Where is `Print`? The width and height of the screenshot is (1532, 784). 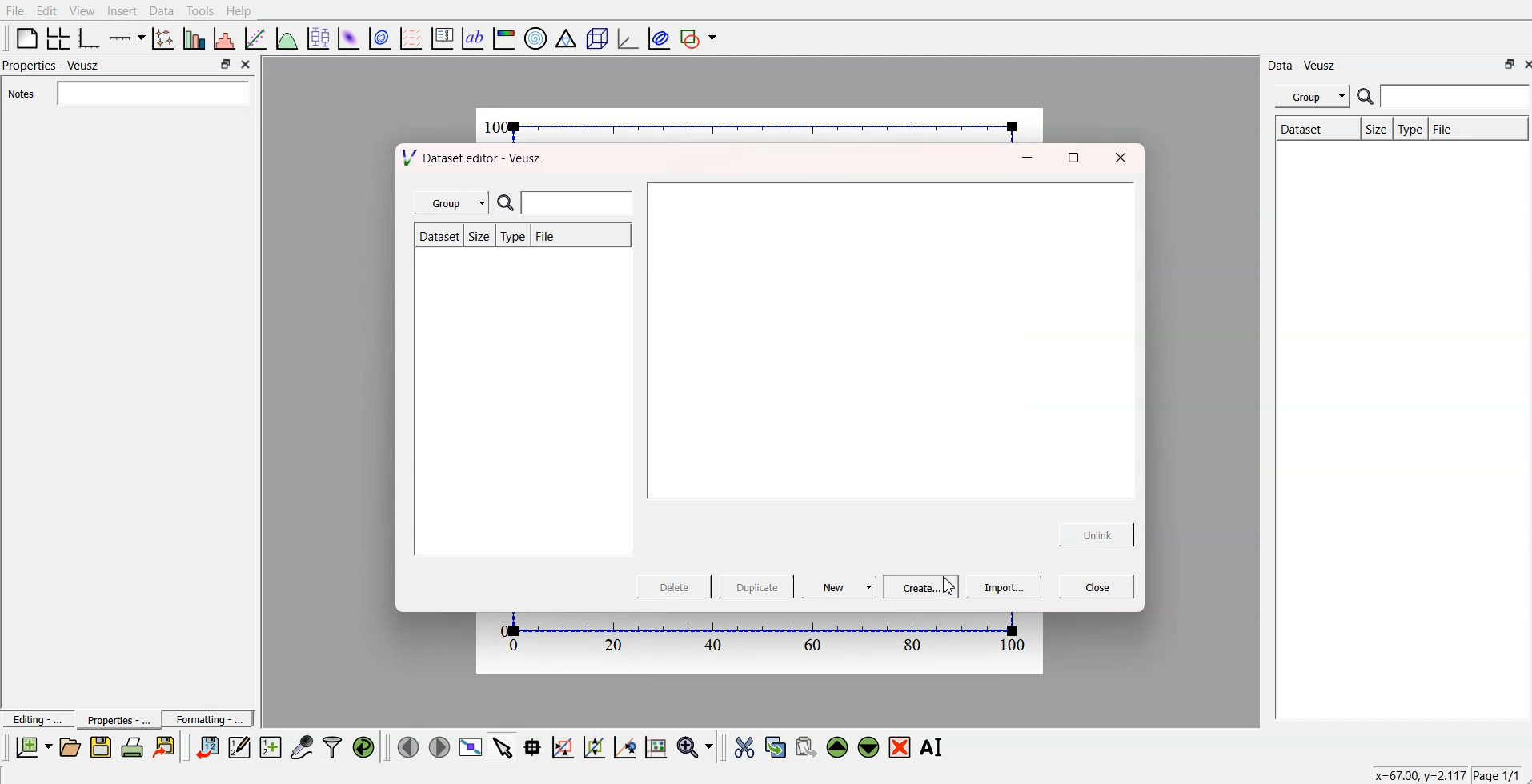
Print is located at coordinates (133, 747).